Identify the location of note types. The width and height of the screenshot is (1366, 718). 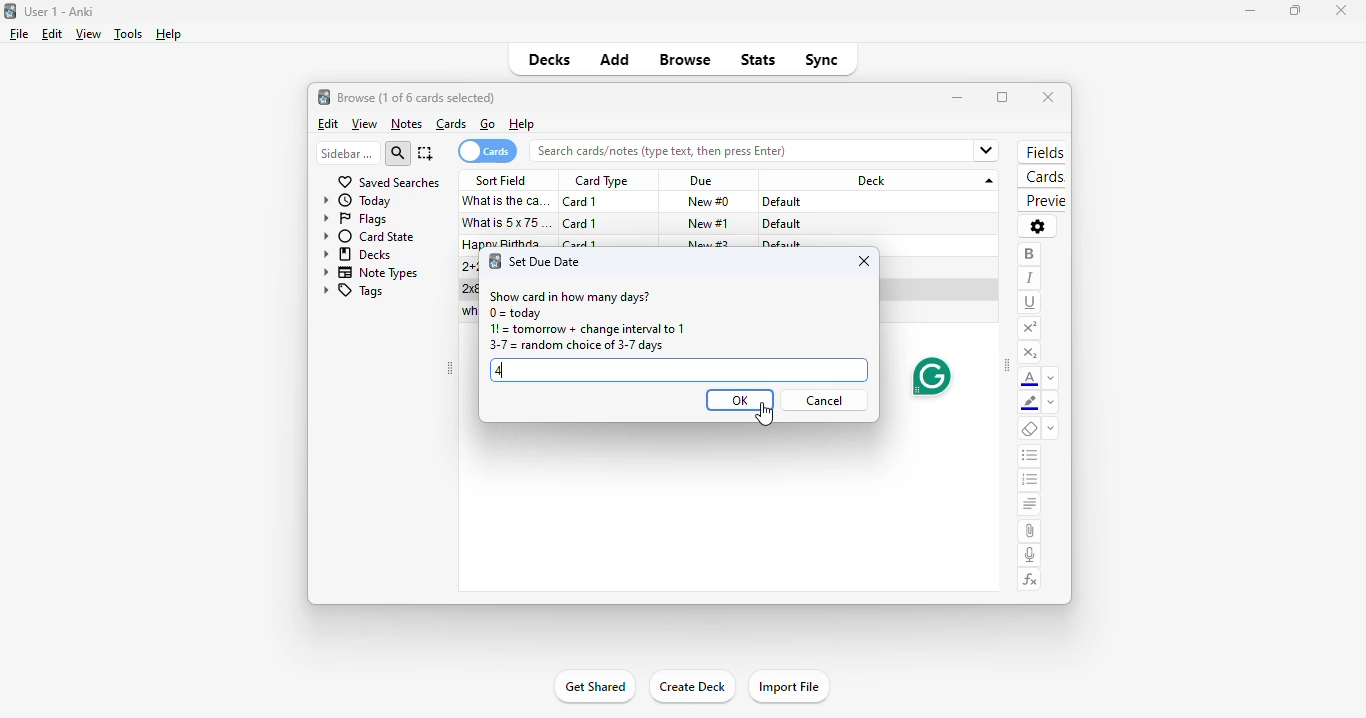
(372, 272).